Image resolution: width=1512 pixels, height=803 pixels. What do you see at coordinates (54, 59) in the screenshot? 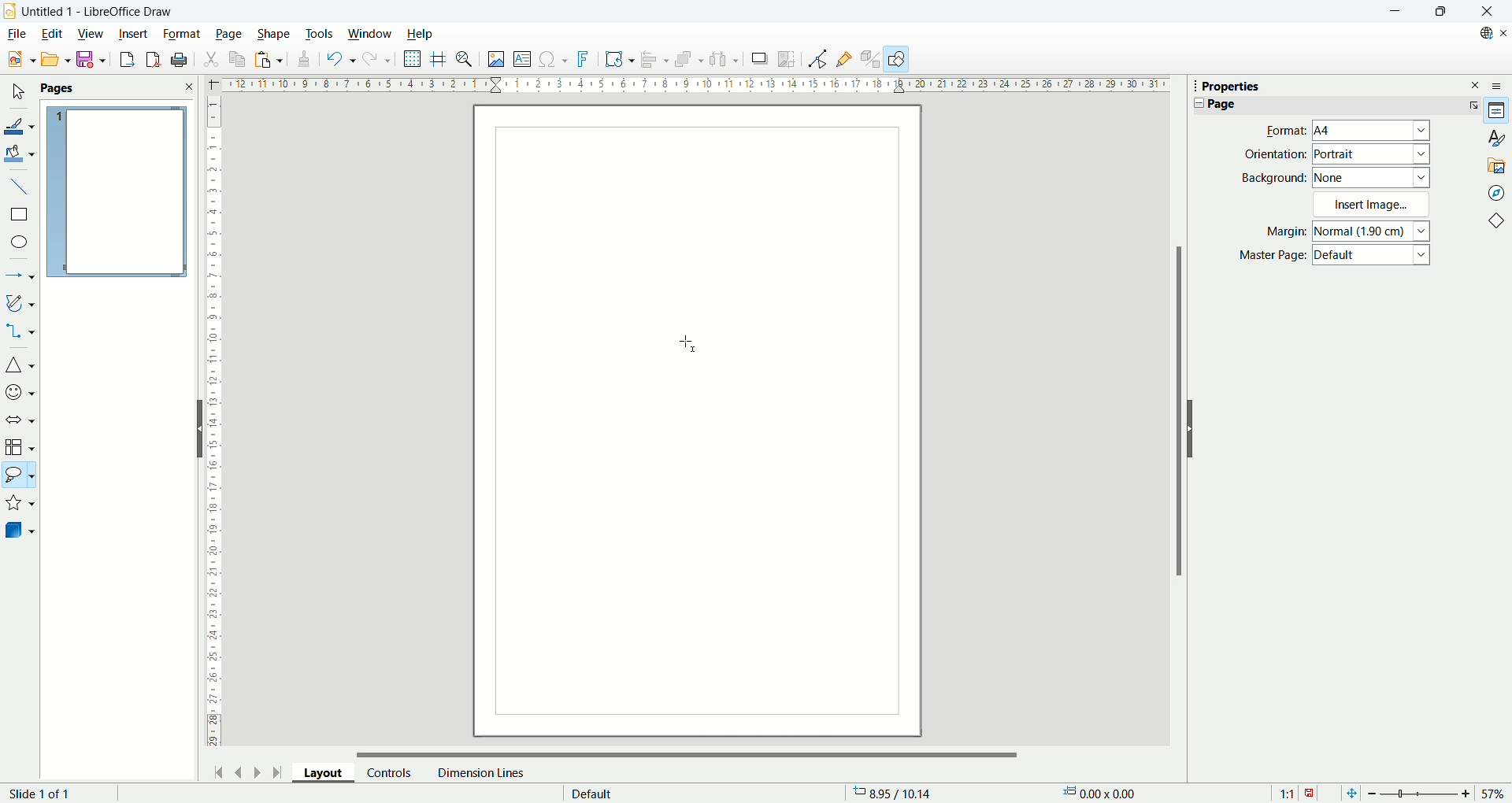
I see `open` at bounding box center [54, 59].